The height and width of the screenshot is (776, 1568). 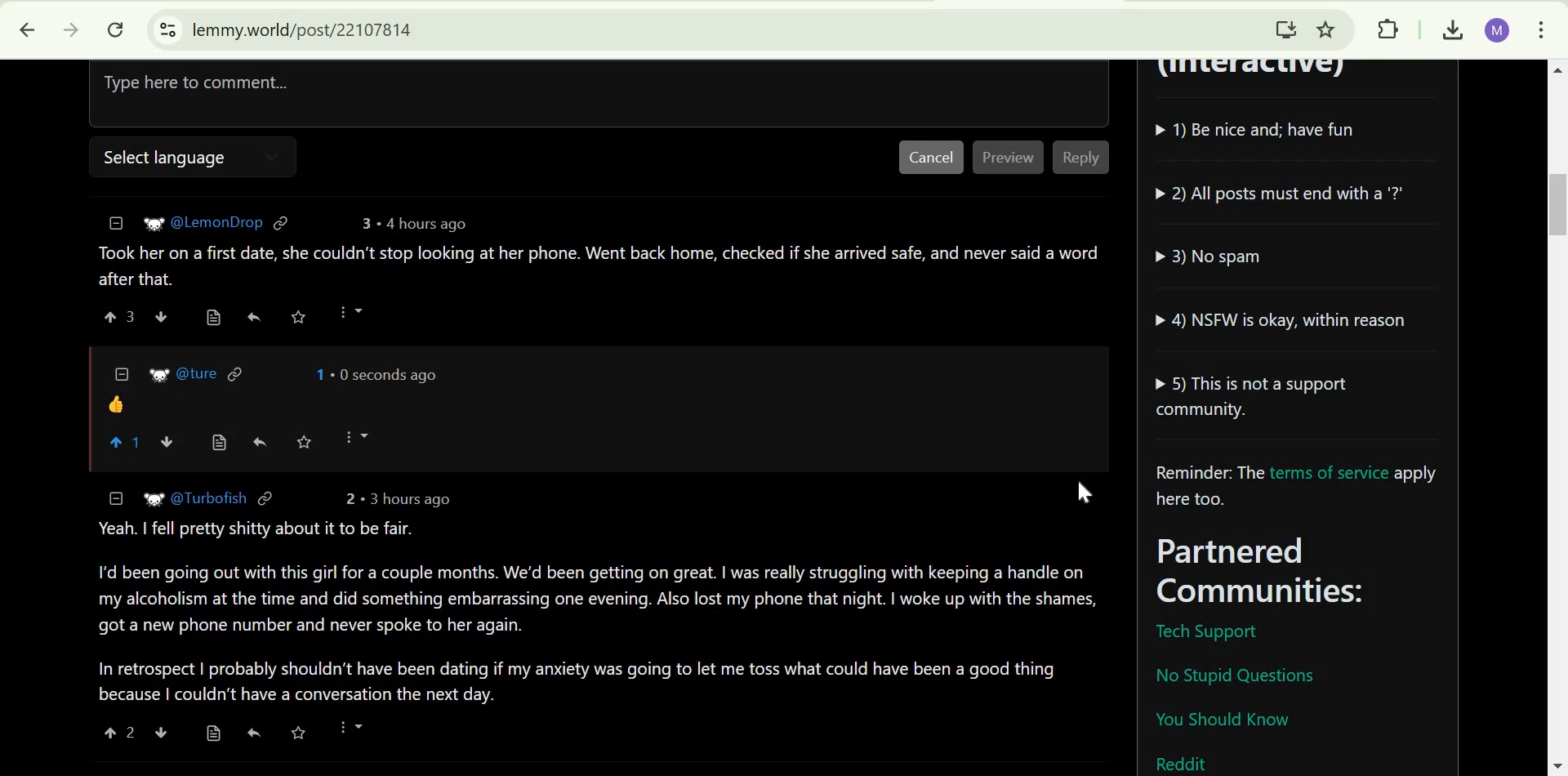 I want to click on more, so click(x=355, y=437).